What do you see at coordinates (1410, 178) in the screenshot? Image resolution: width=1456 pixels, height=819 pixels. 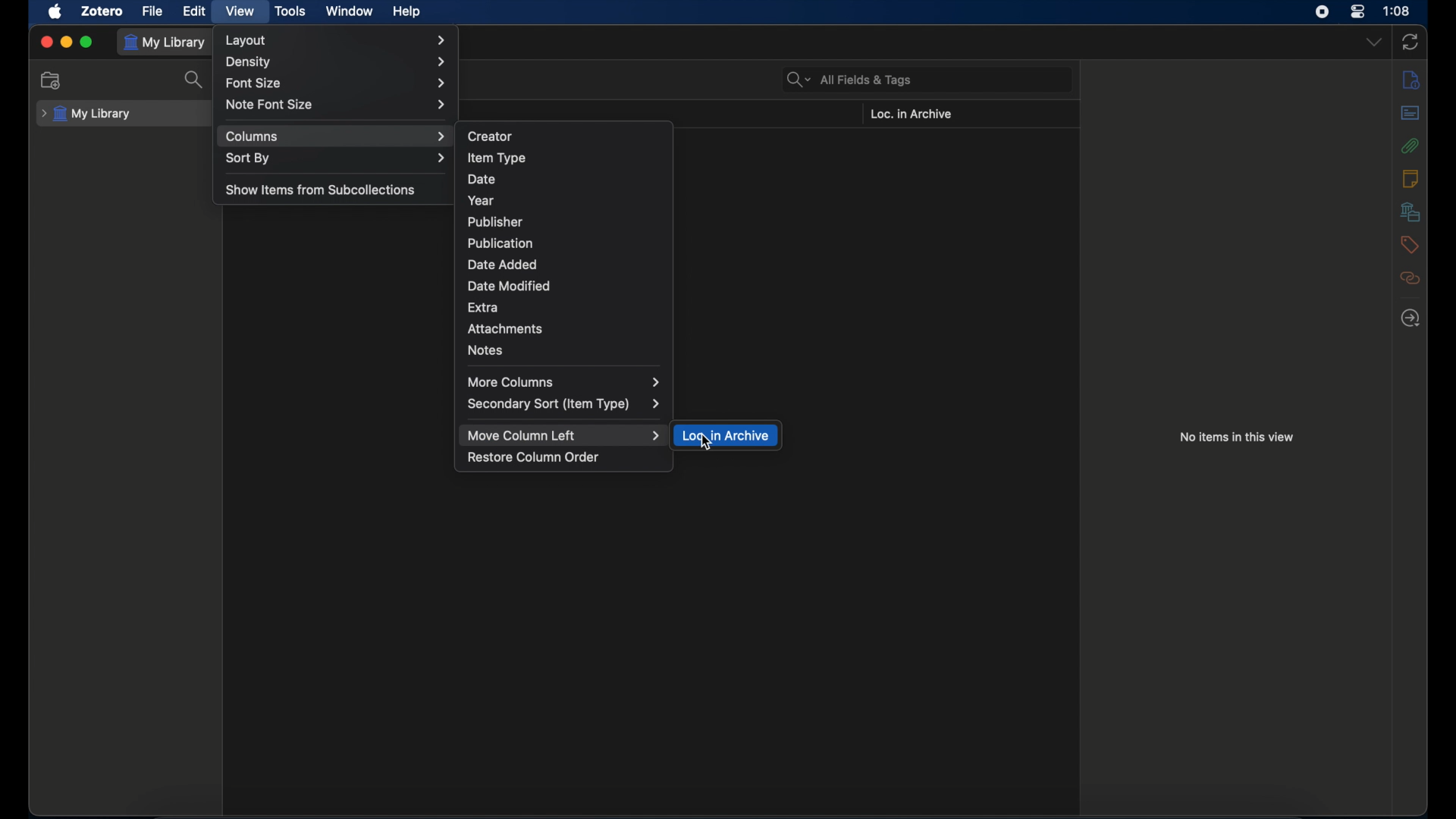 I see `notes` at bounding box center [1410, 178].